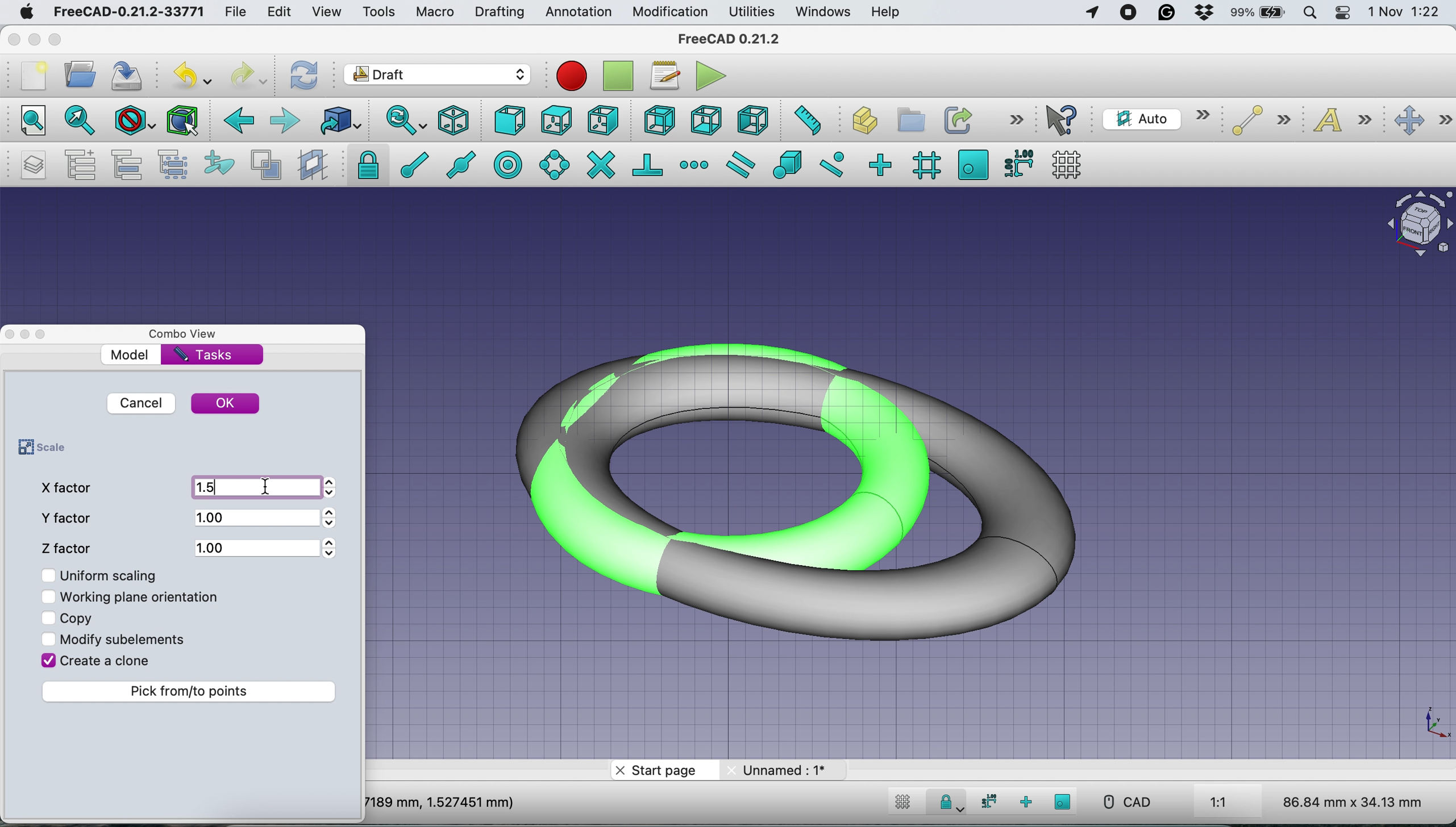 This screenshot has width=1456, height=827. Describe the element at coordinates (571, 76) in the screenshot. I see `Macro recording` at that location.